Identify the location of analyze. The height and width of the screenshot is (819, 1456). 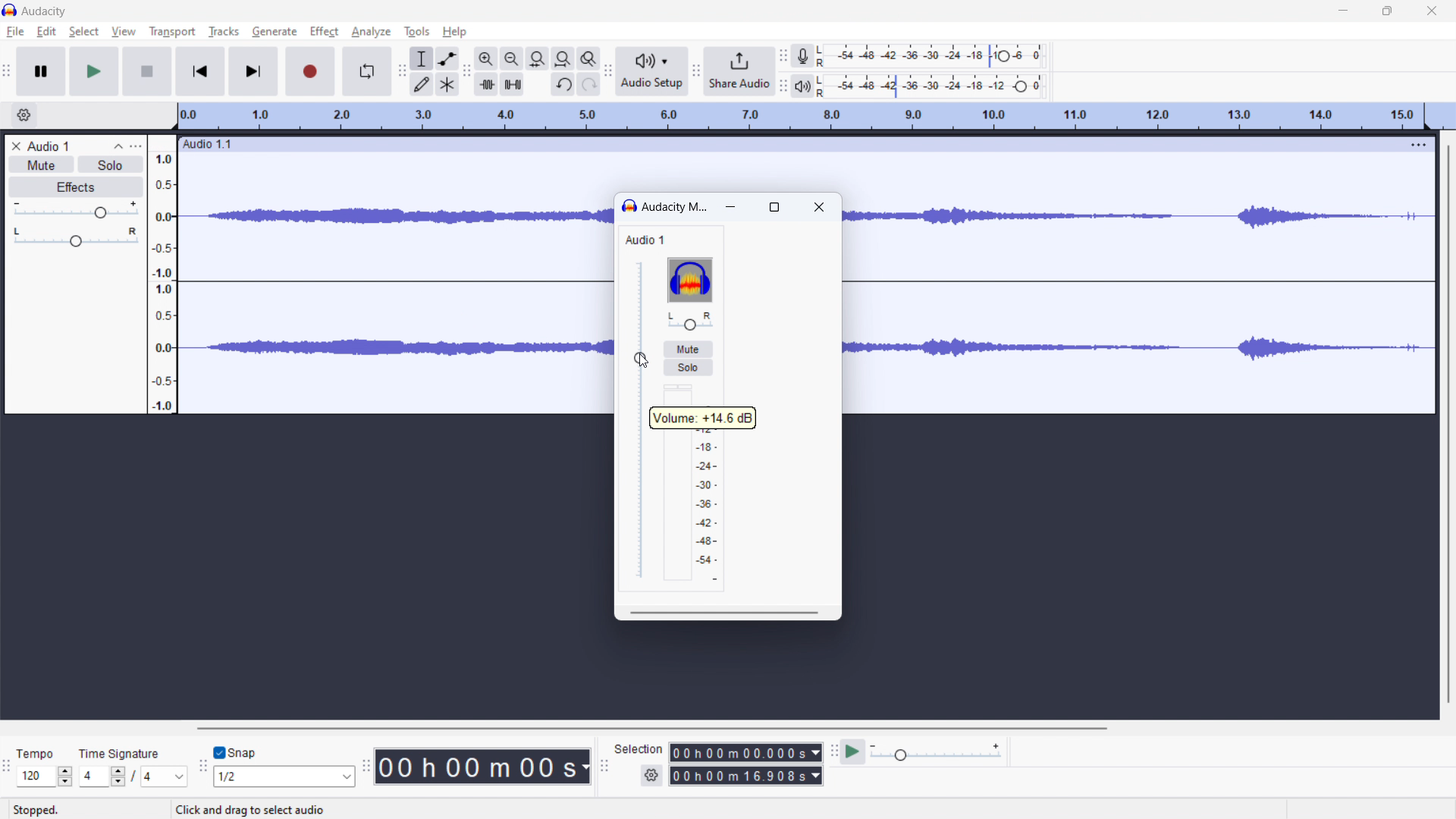
(372, 32).